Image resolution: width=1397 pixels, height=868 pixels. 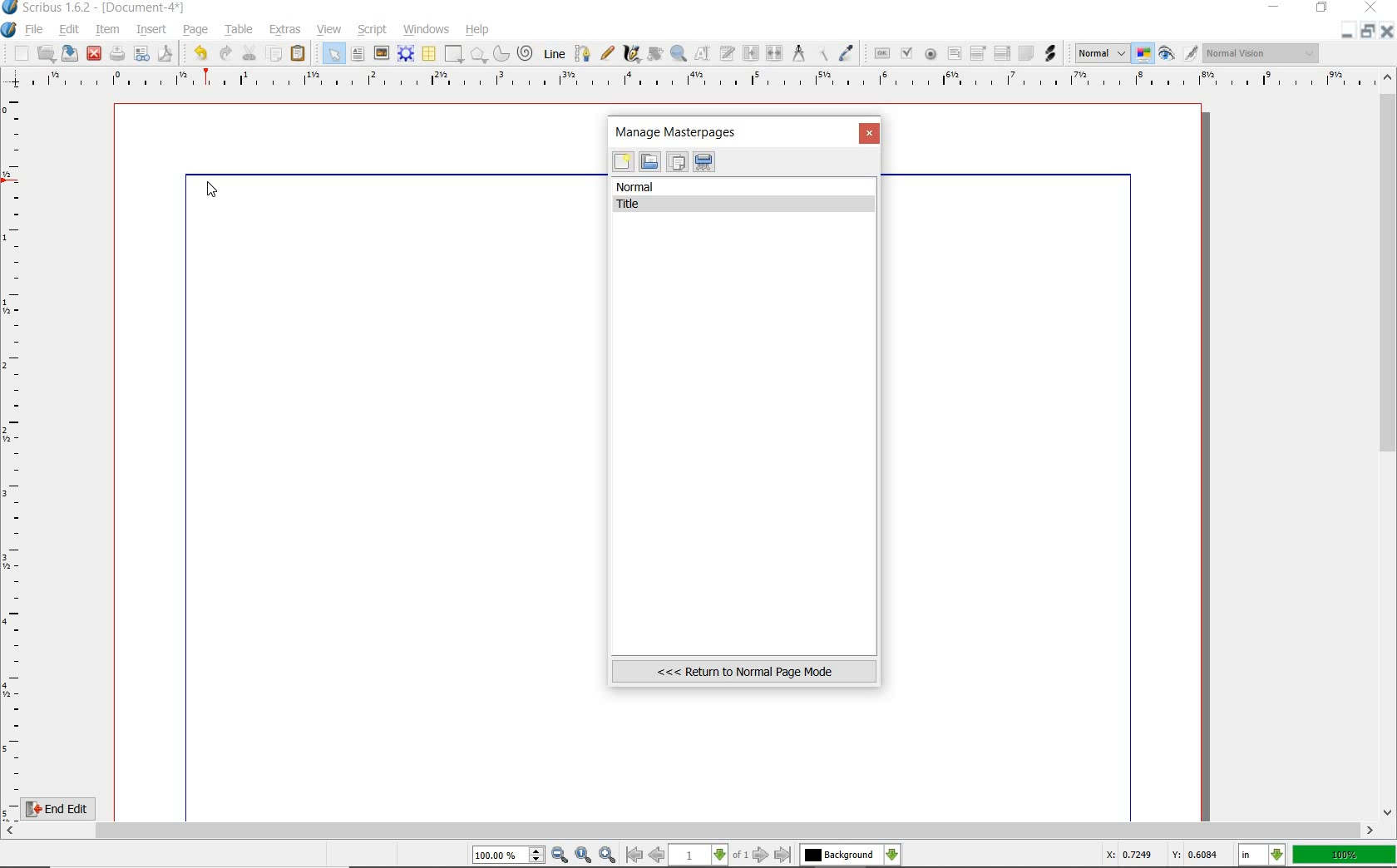 What do you see at coordinates (286, 30) in the screenshot?
I see `extras` at bounding box center [286, 30].